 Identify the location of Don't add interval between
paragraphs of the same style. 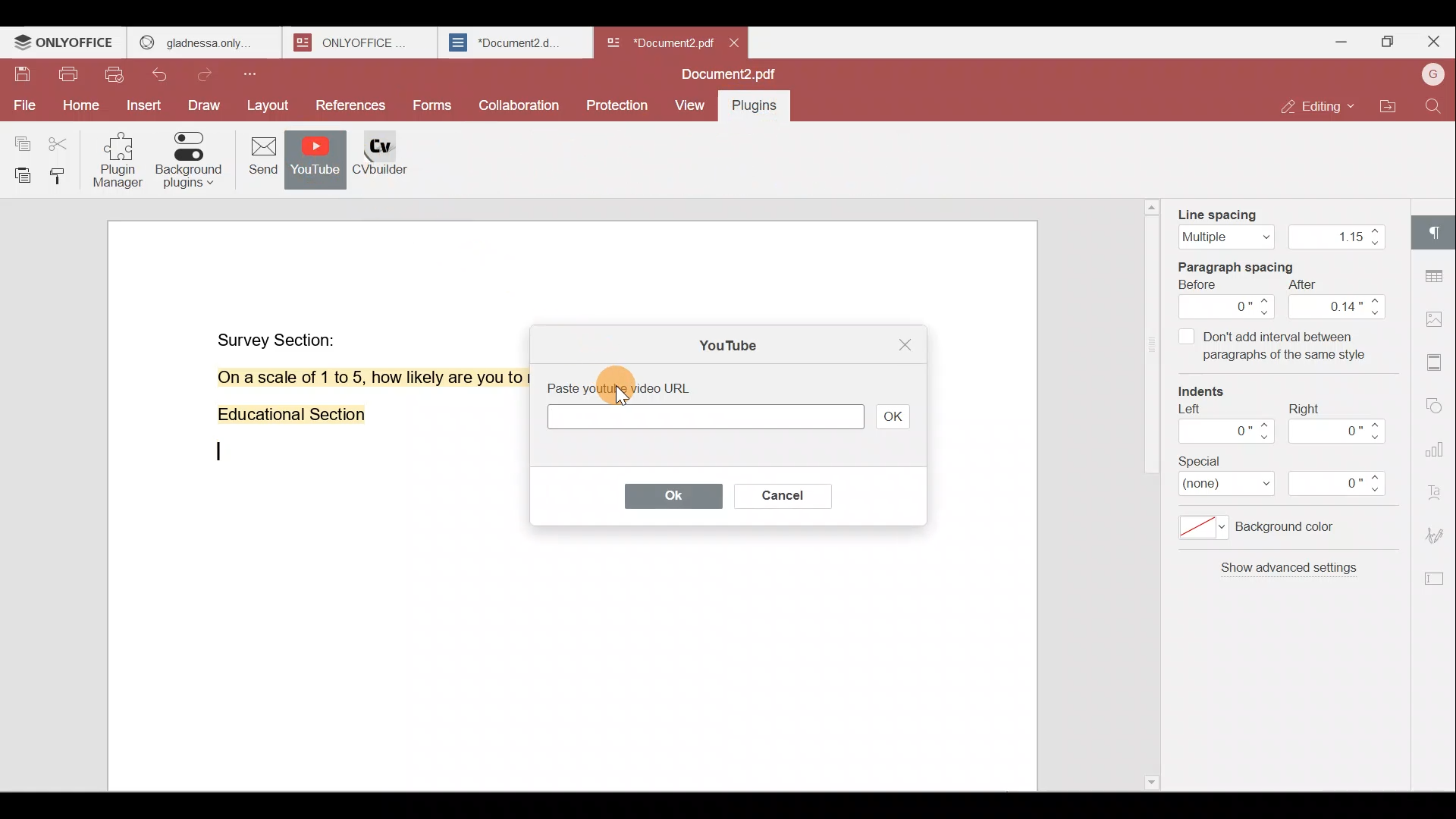
(1272, 349).